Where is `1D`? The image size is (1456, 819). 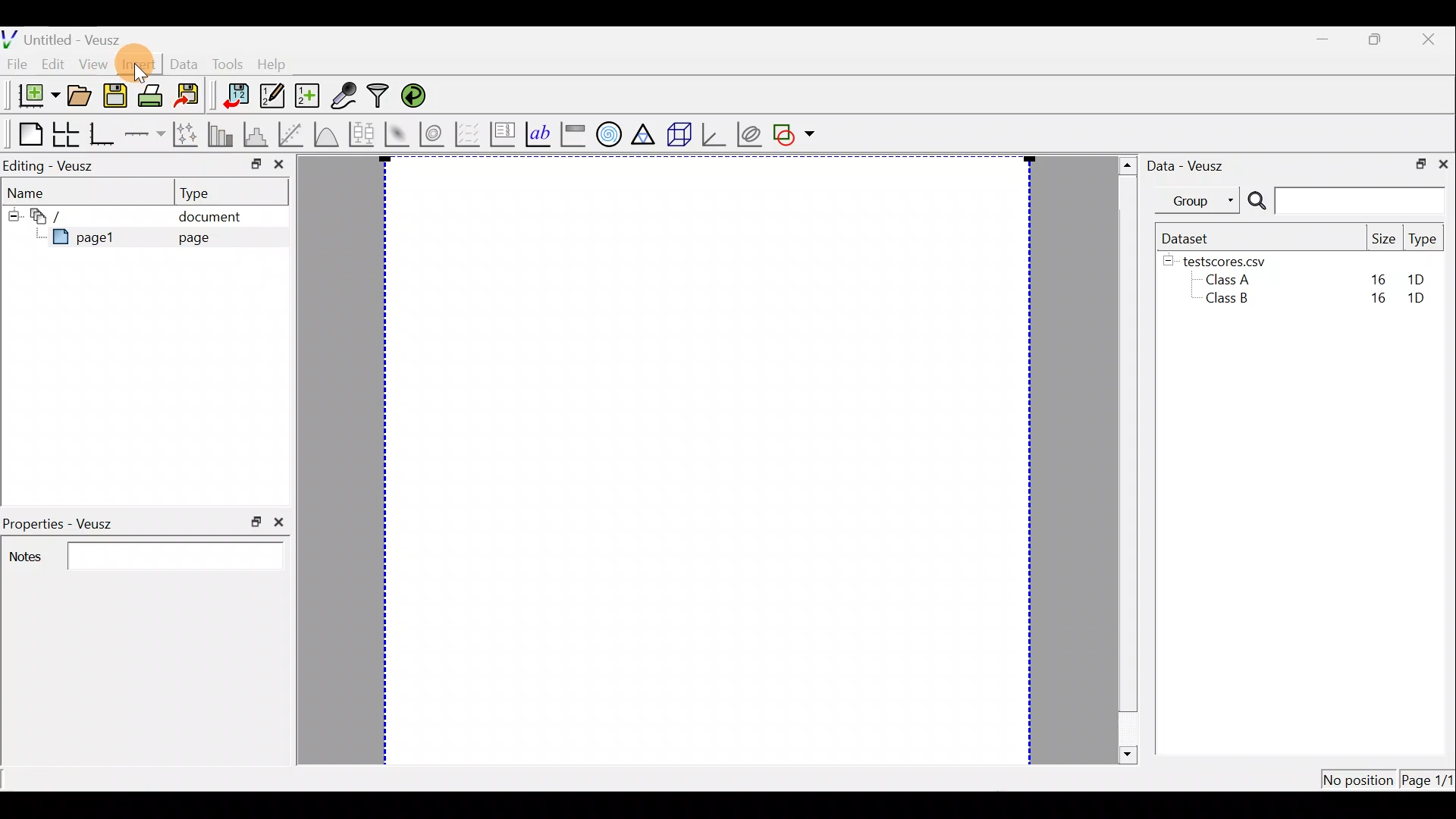 1D is located at coordinates (1418, 279).